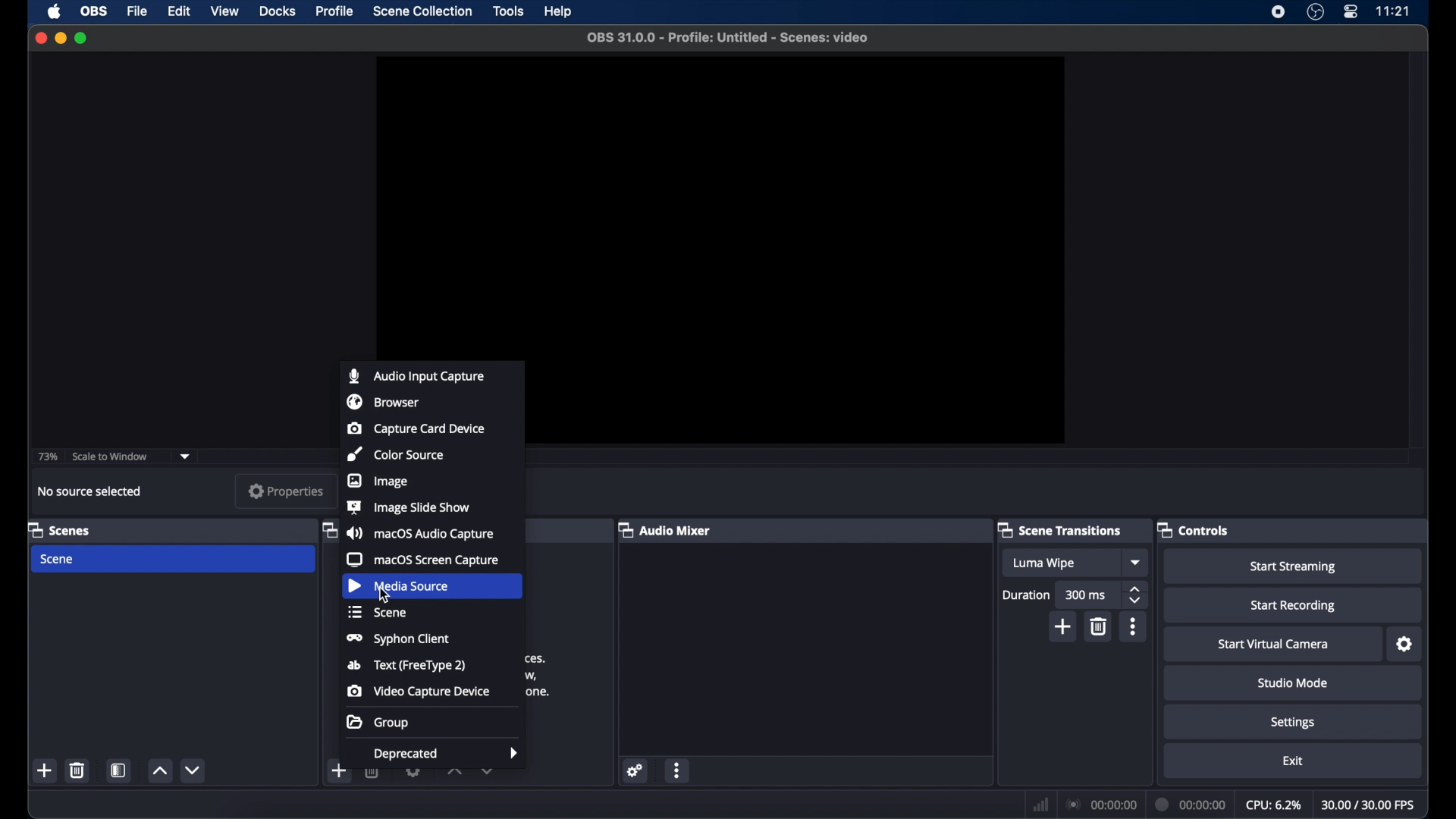 The height and width of the screenshot is (819, 1456). What do you see at coordinates (1041, 803) in the screenshot?
I see `network` at bounding box center [1041, 803].